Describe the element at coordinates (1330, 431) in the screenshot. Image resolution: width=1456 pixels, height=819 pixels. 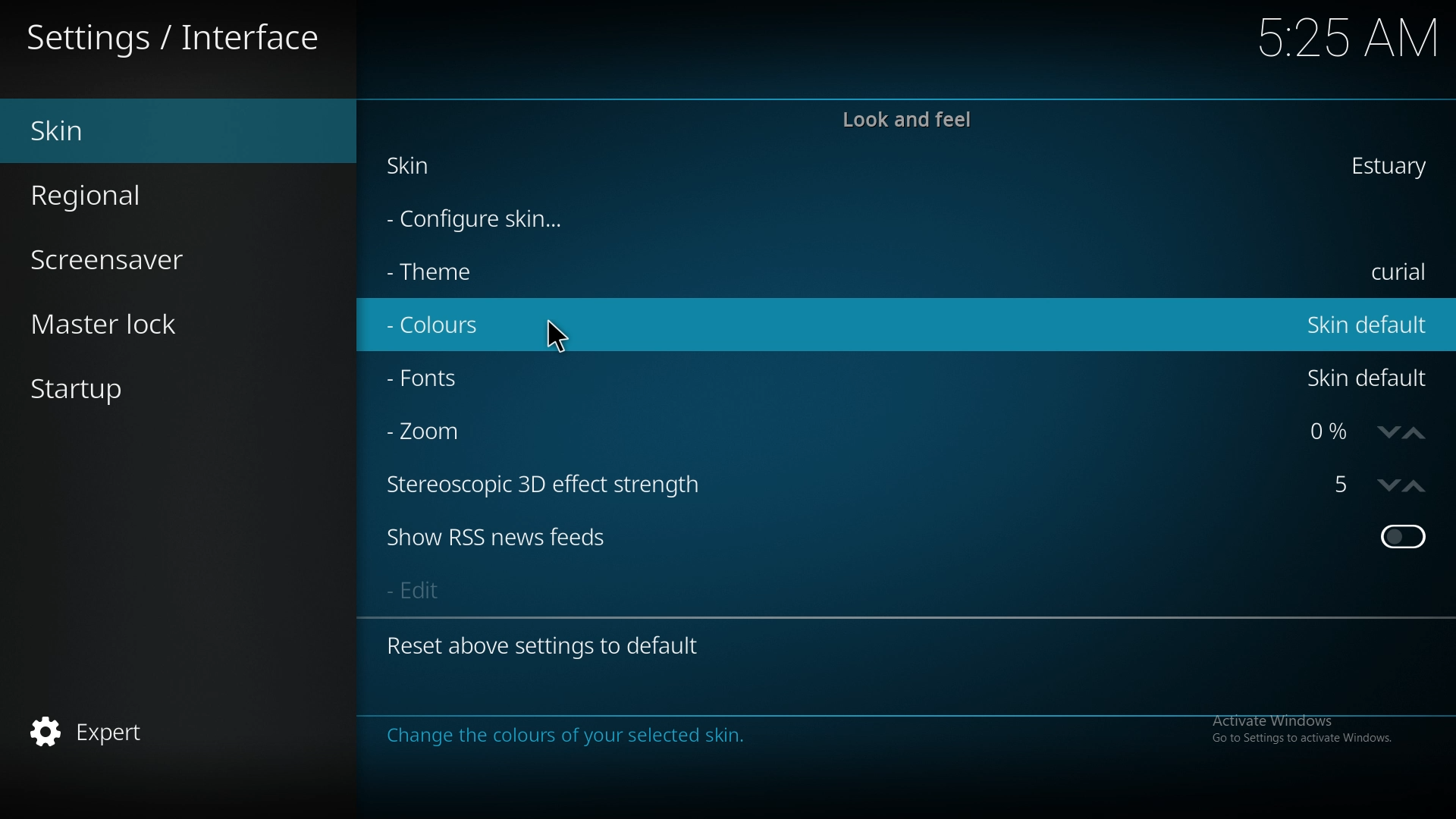
I see `zoom` at that location.